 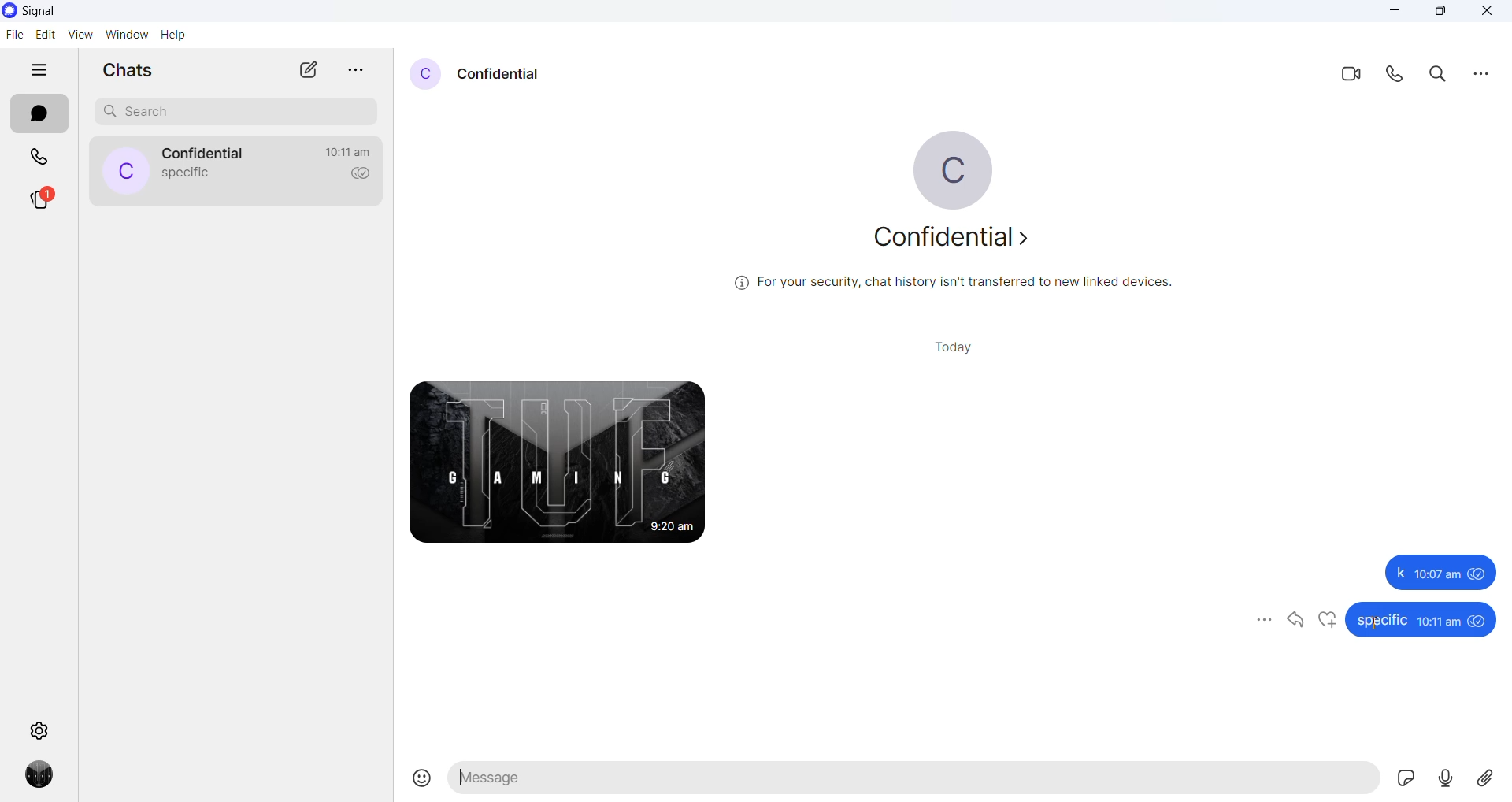 I want to click on contact name, so click(x=205, y=154).